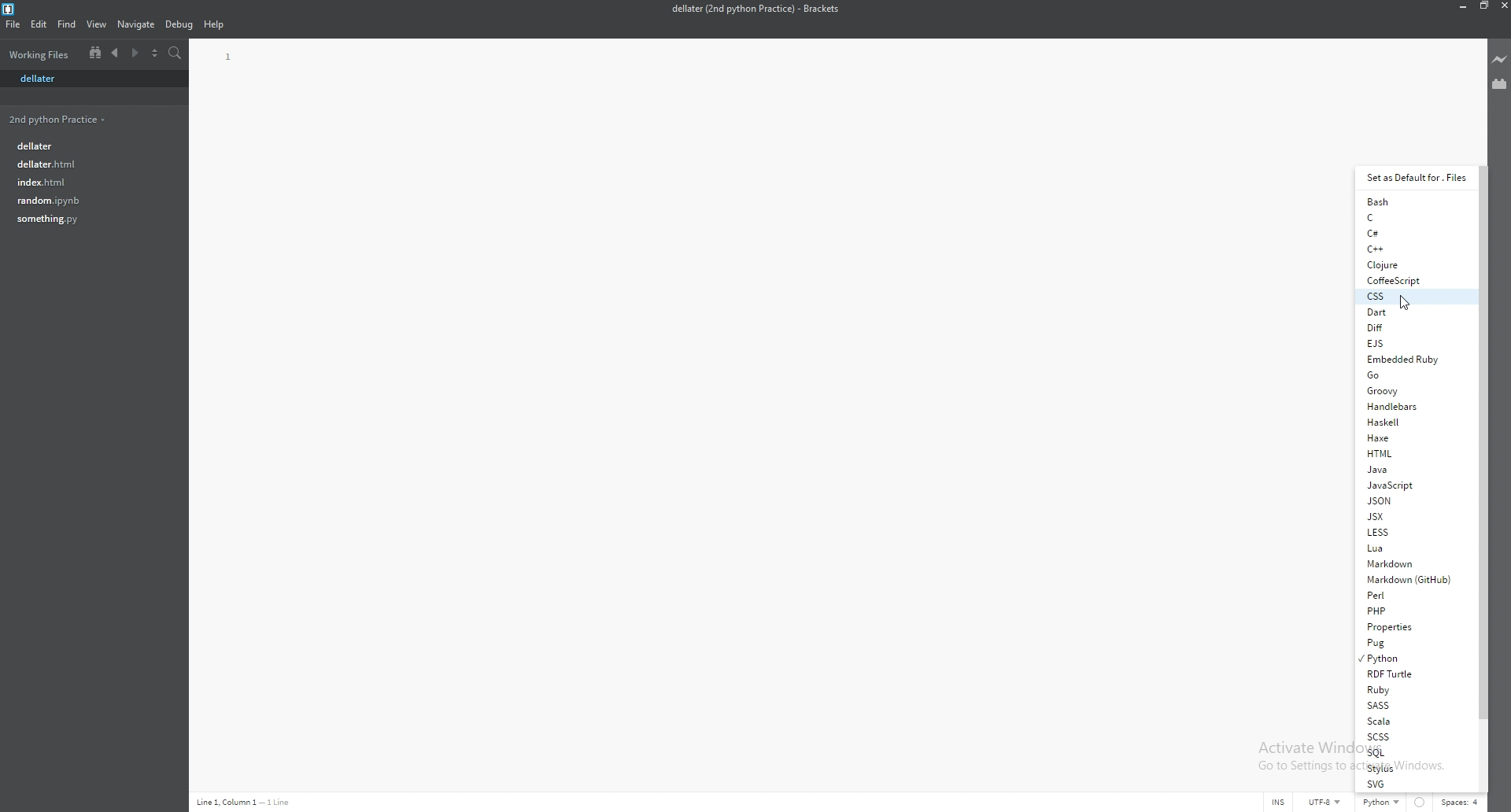 This screenshot has width=1511, height=812. I want to click on cursor mode, so click(1276, 803).